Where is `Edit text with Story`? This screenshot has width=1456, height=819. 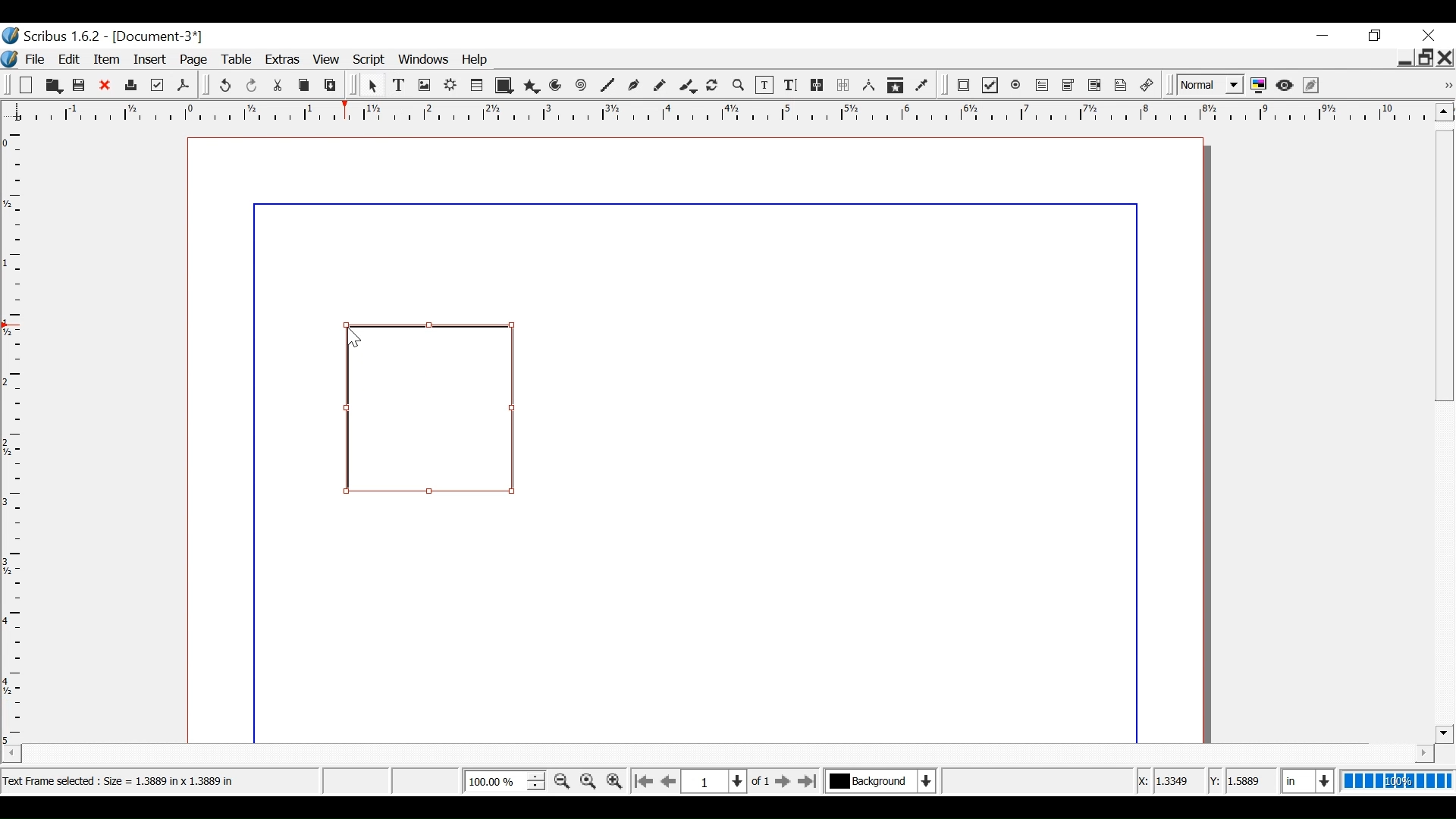 Edit text with Story is located at coordinates (790, 86).